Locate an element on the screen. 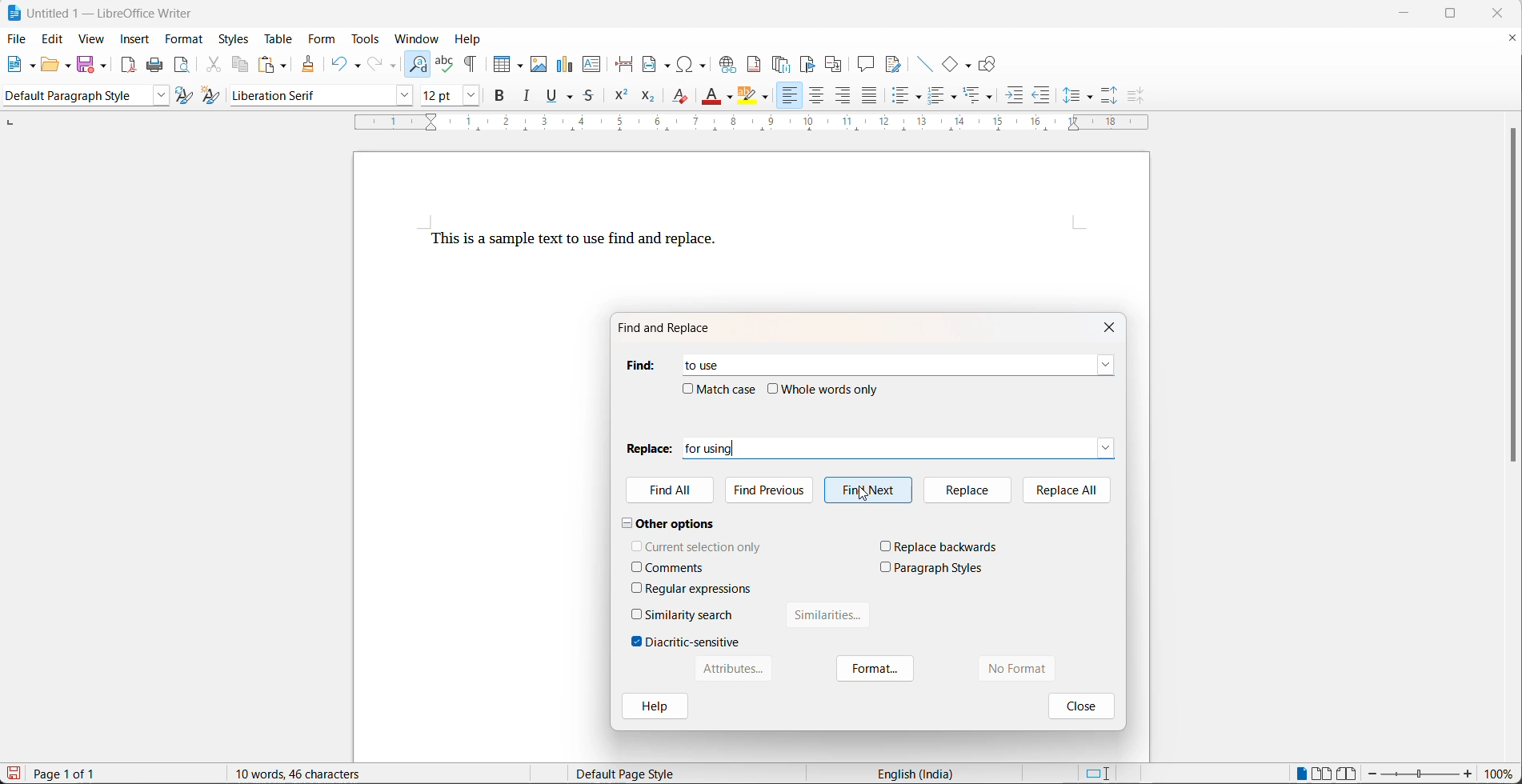 The width and height of the screenshot is (1522, 784). font size options is located at coordinates (467, 98).